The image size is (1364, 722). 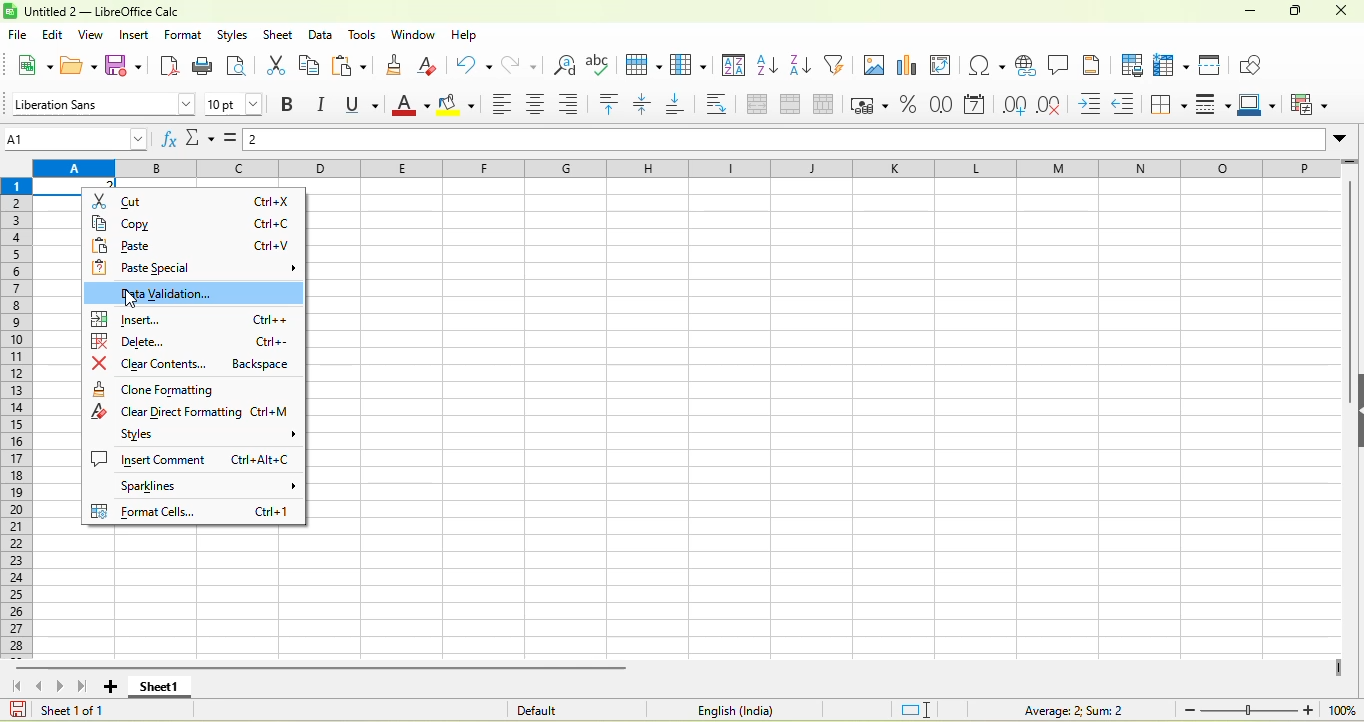 What do you see at coordinates (183, 34) in the screenshot?
I see `format` at bounding box center [183, 34].